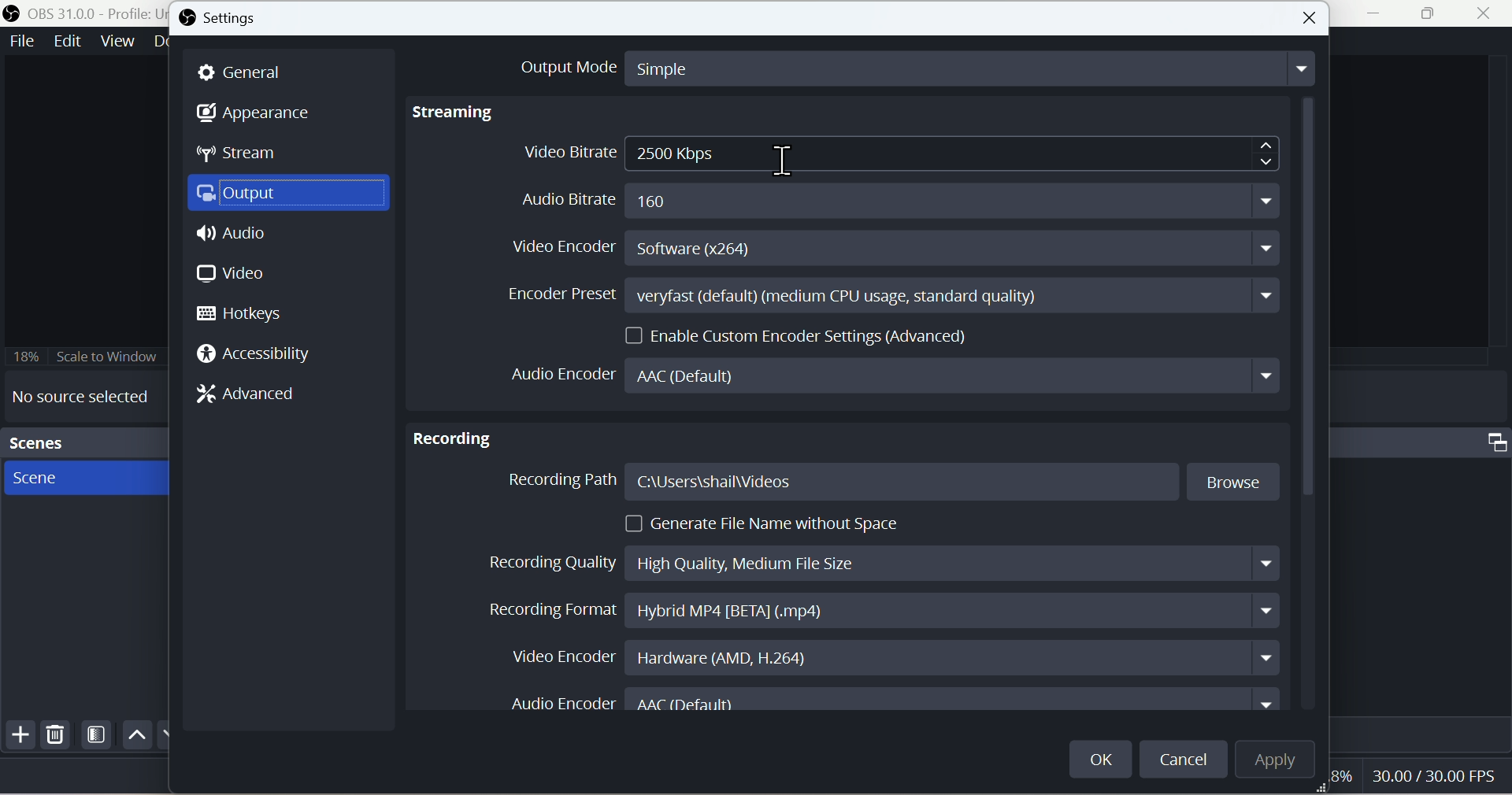  I want to click on Audio Encoder, so click(900, 703).